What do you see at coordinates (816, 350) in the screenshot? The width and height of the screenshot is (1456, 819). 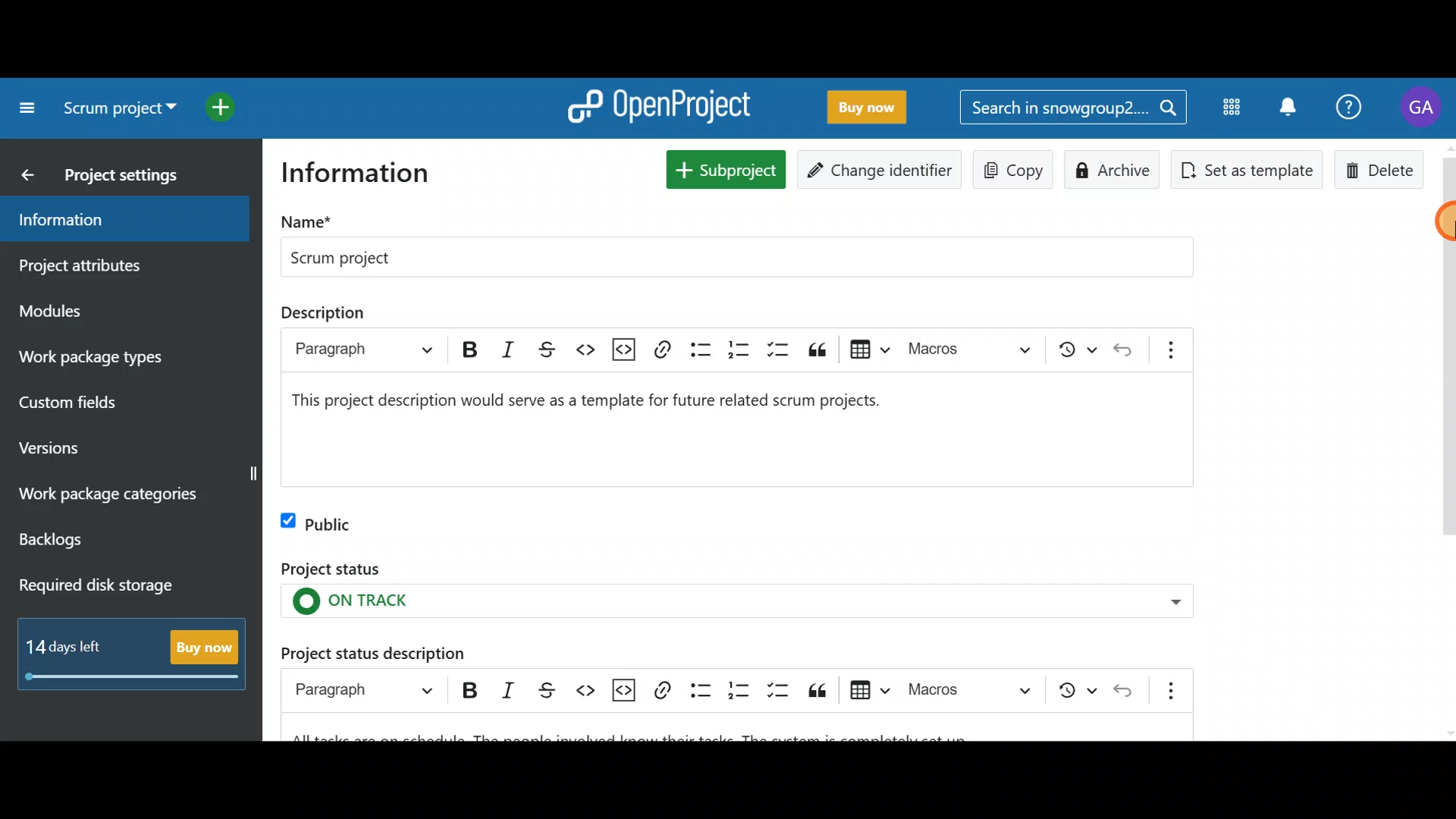 I see `block quote` at bounding box center [816, 350].